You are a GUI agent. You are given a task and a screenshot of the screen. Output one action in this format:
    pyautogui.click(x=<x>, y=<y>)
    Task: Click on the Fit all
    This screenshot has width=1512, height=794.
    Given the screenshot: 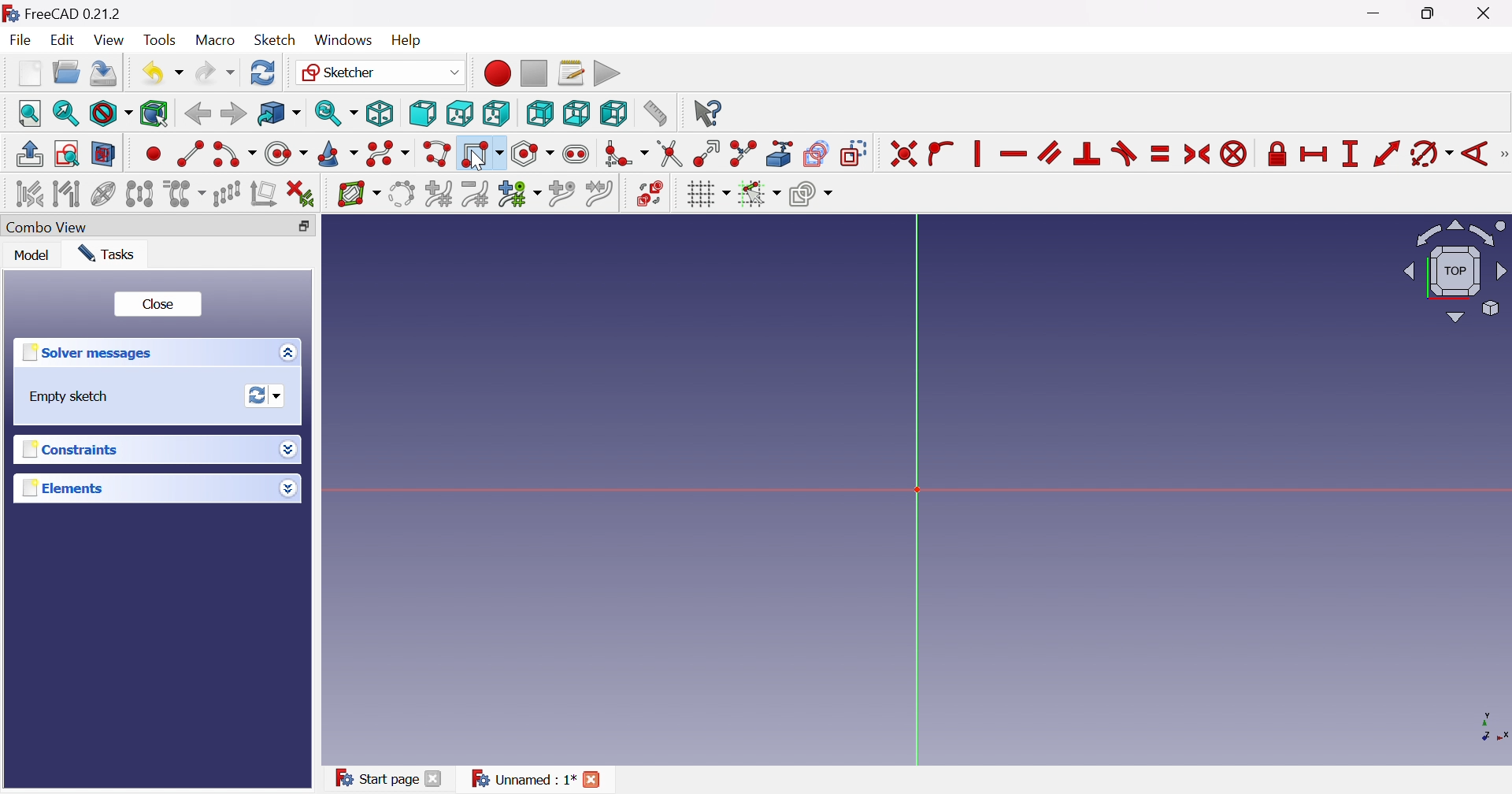 What is the action you would take?
    pyautogui.click(x=30, y=113)
    